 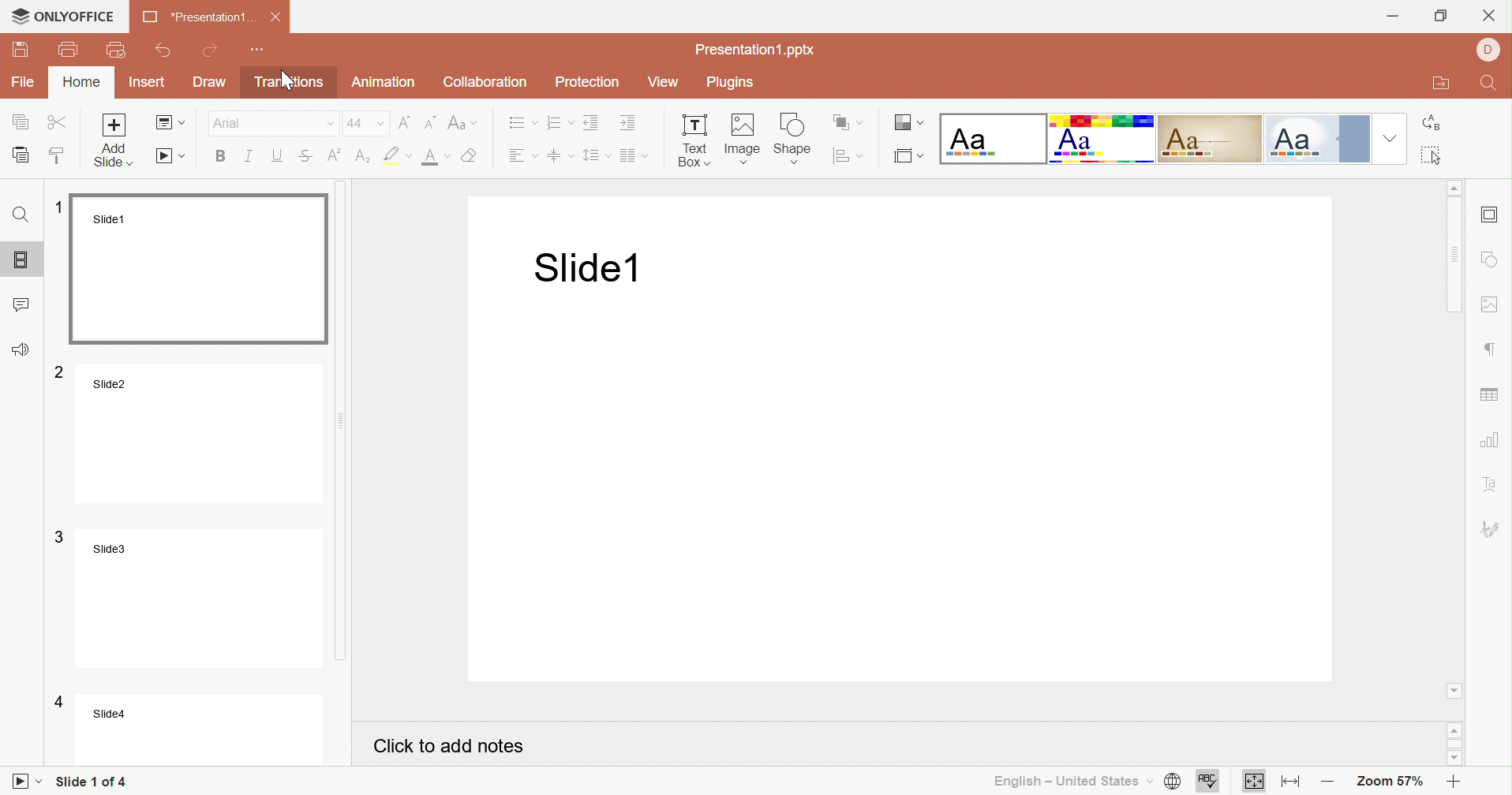 I want to click on Zoom out, so click(x=1324, y=783).